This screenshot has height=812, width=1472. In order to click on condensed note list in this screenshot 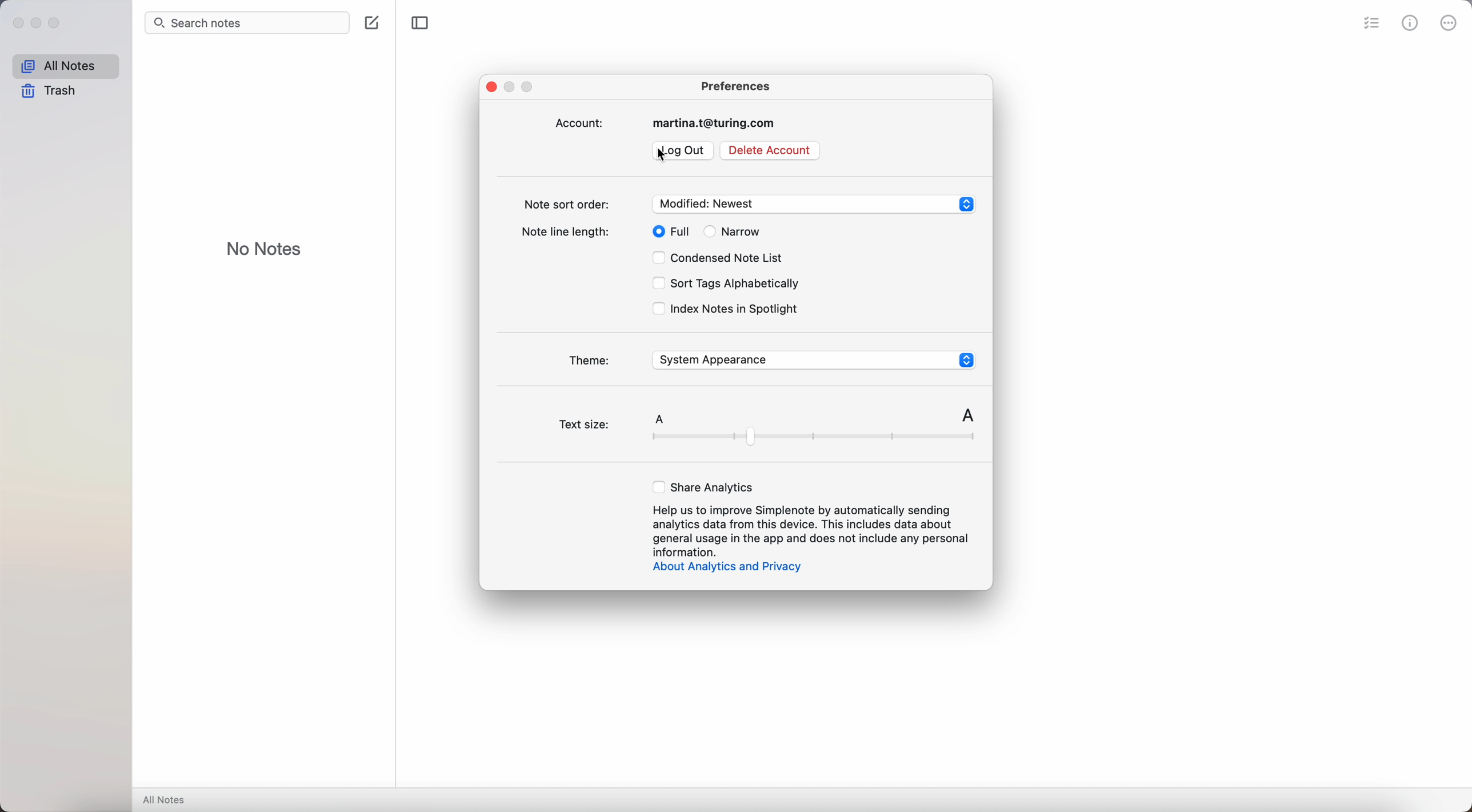, I will do `click(735, 258)`.